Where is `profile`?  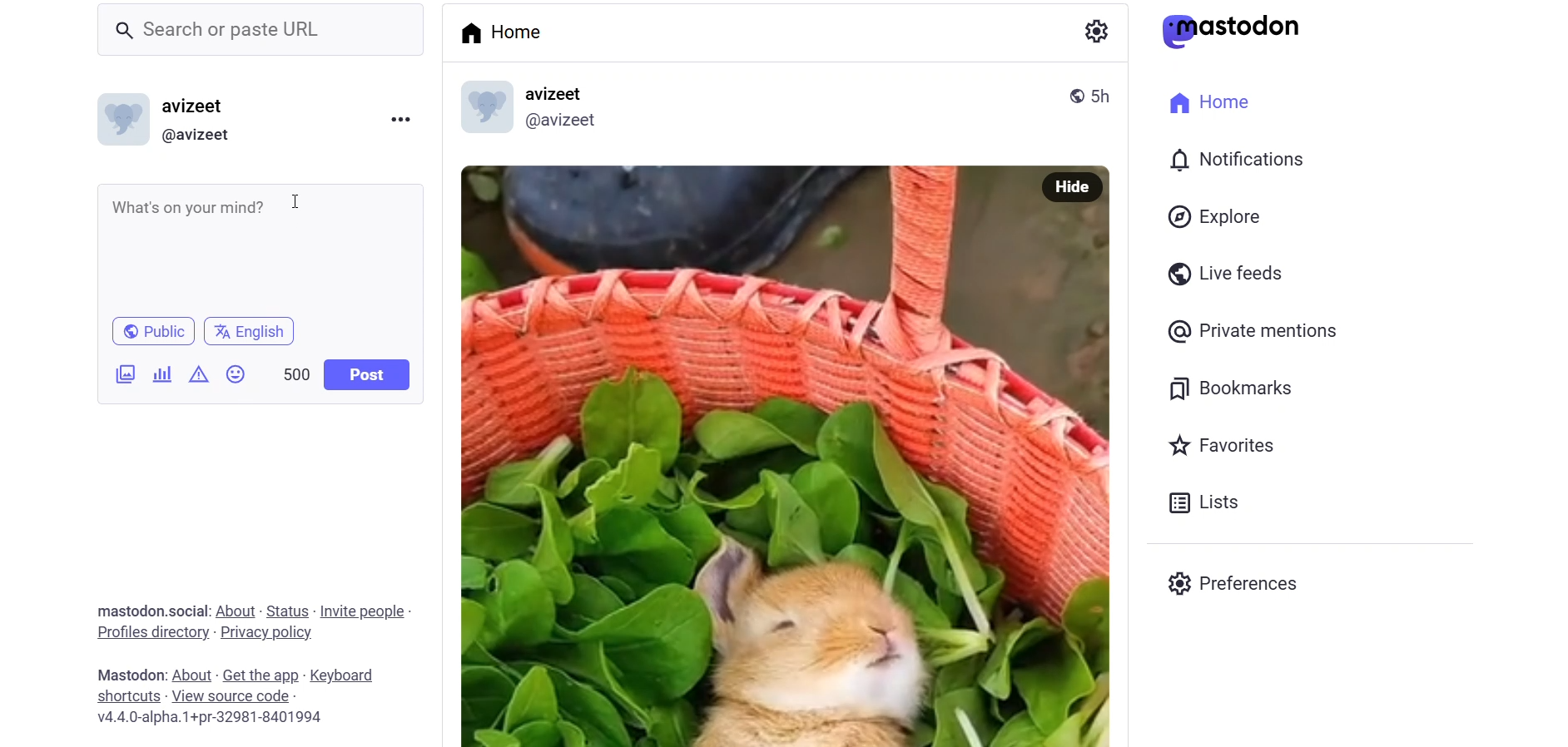 profile is located at coordinates (149, 632).